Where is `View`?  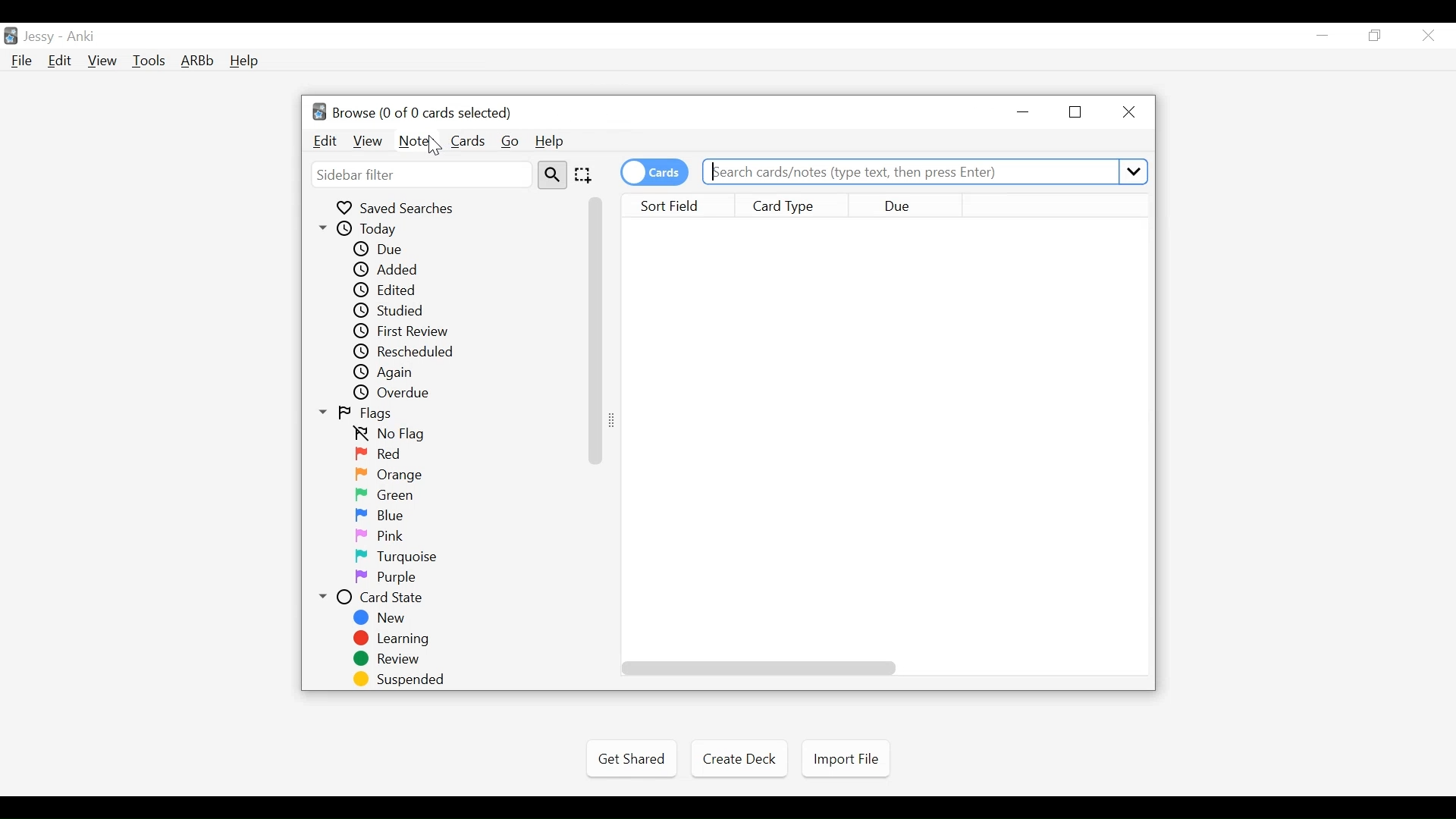
View is located at coordinates (369, 142).